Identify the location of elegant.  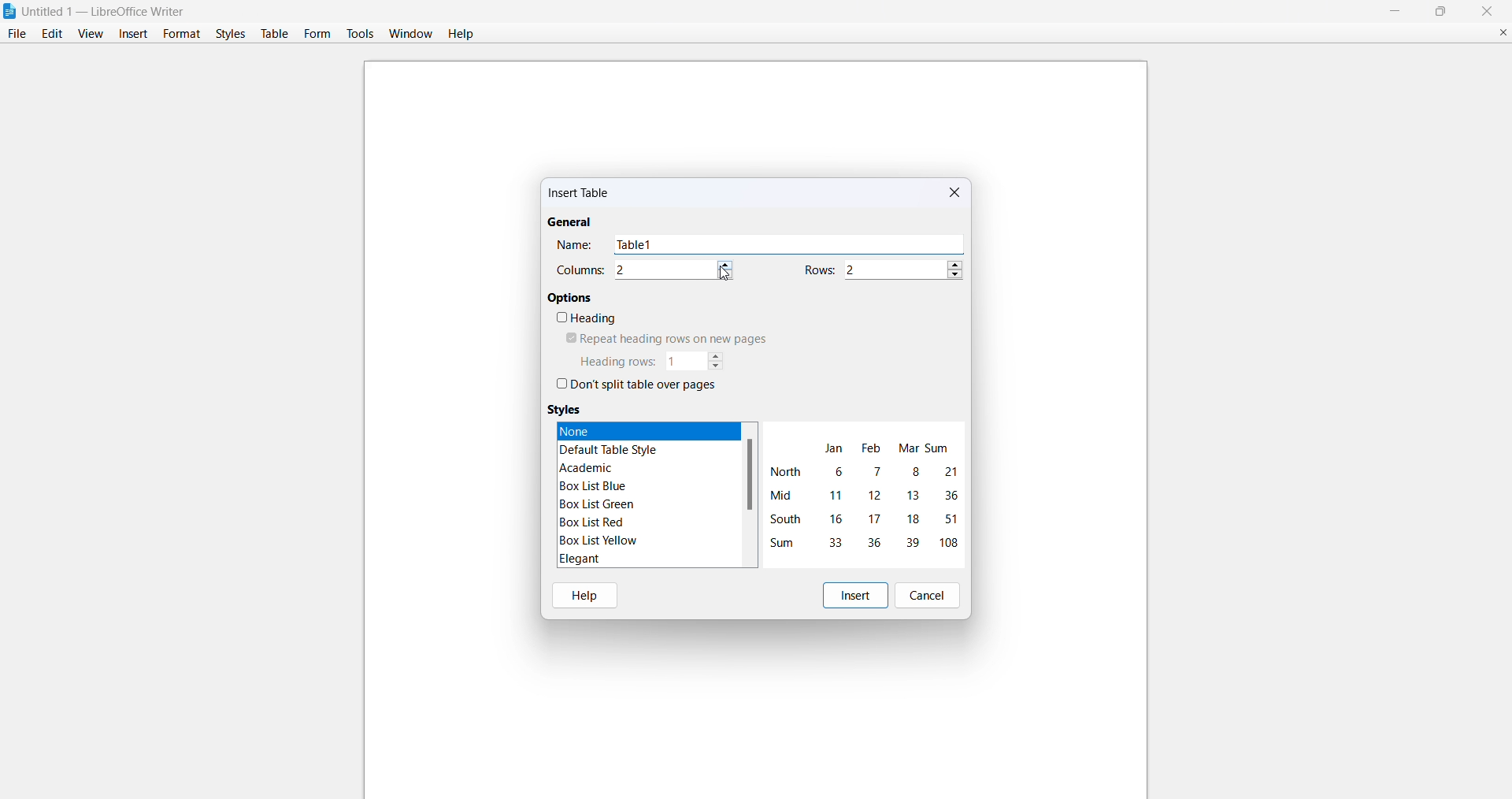
(578, 559).